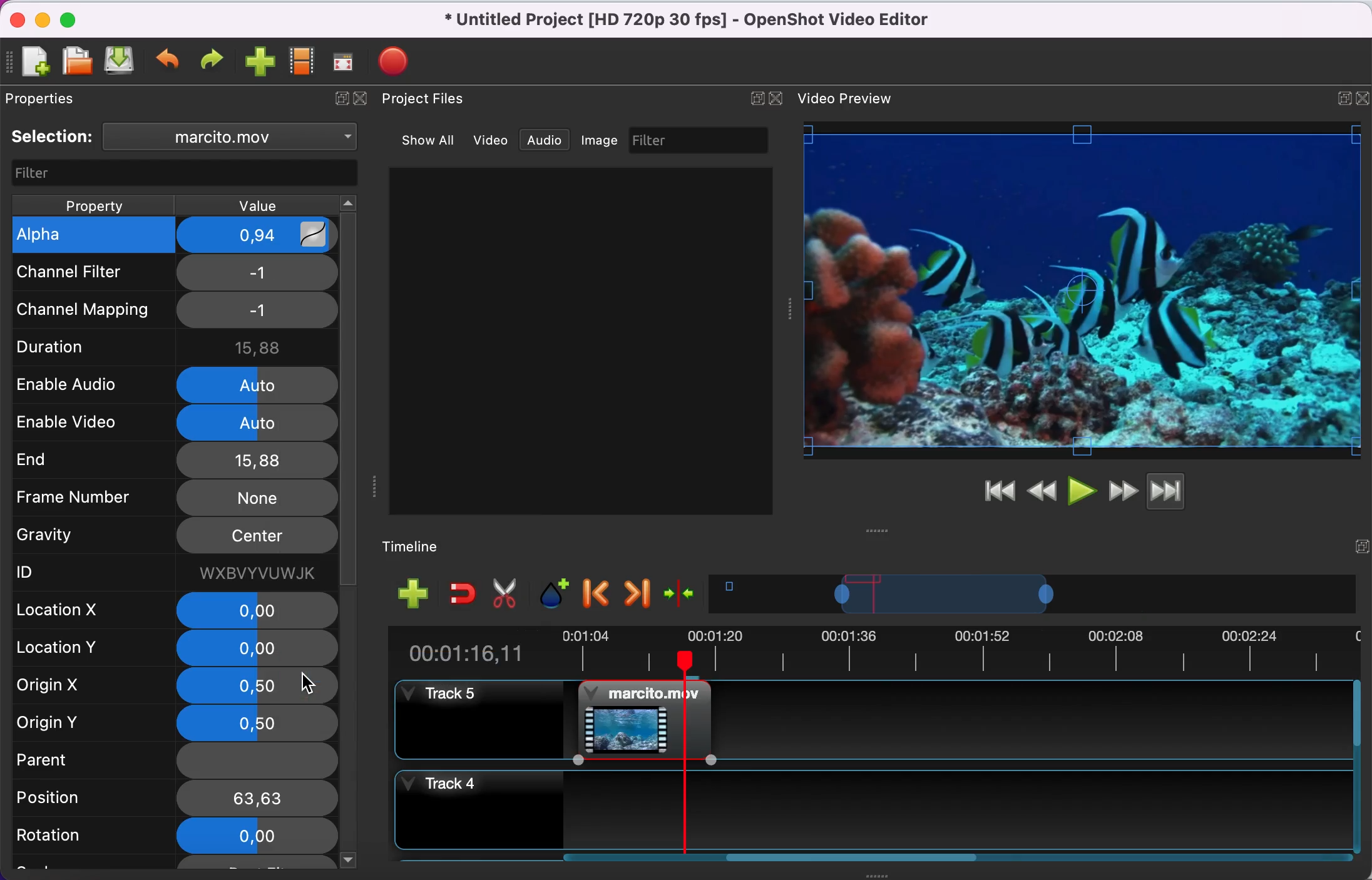  Describe the element at coordinates (1339, 95) in the screenshot. I see `maximize` at that location.